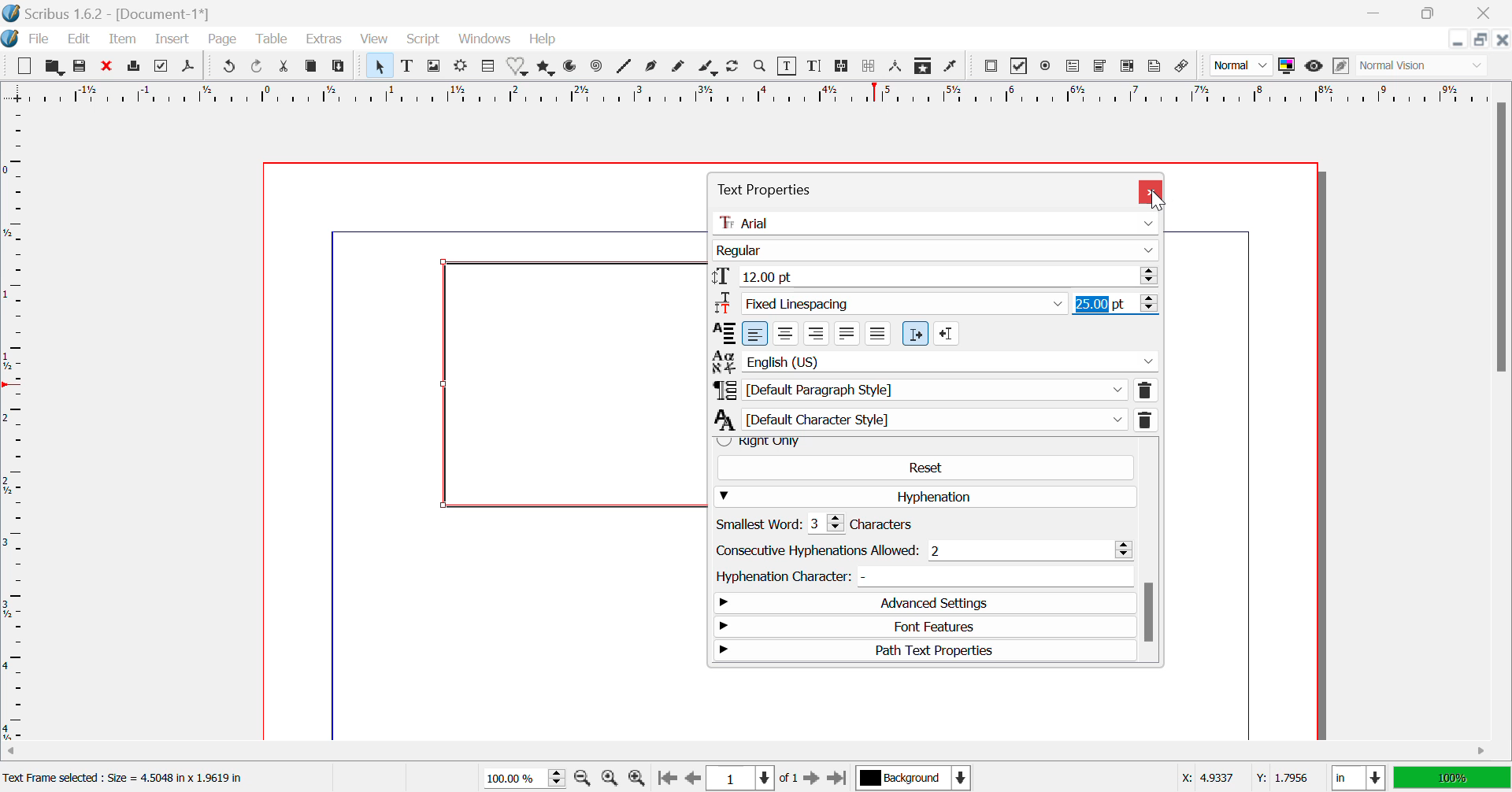 Image resolution: width=1512 pixels, height=792 pixels. I want to click on Script, so click(422, 40).